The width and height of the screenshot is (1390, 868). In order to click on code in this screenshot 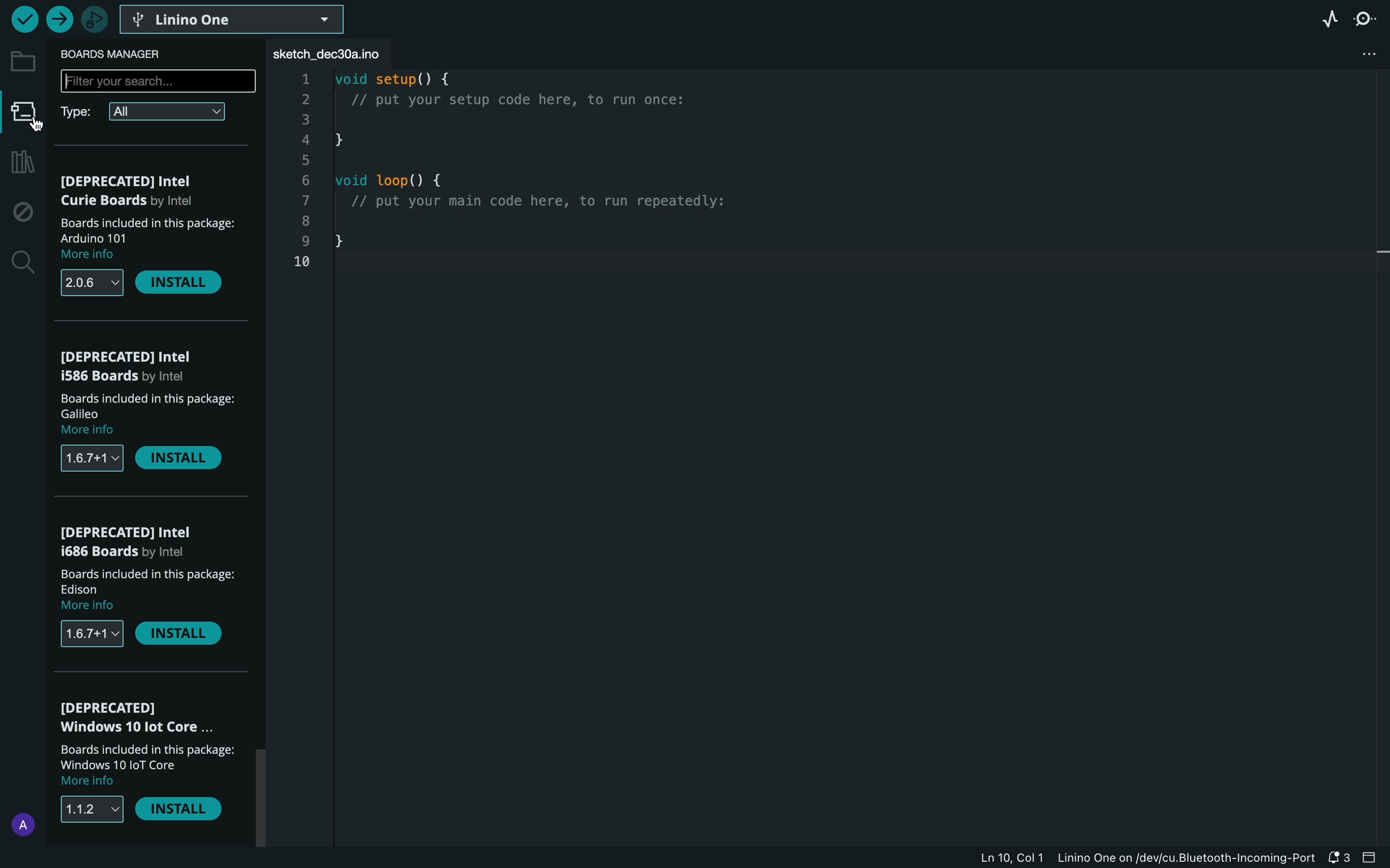, I will do `click(554, 180)`.